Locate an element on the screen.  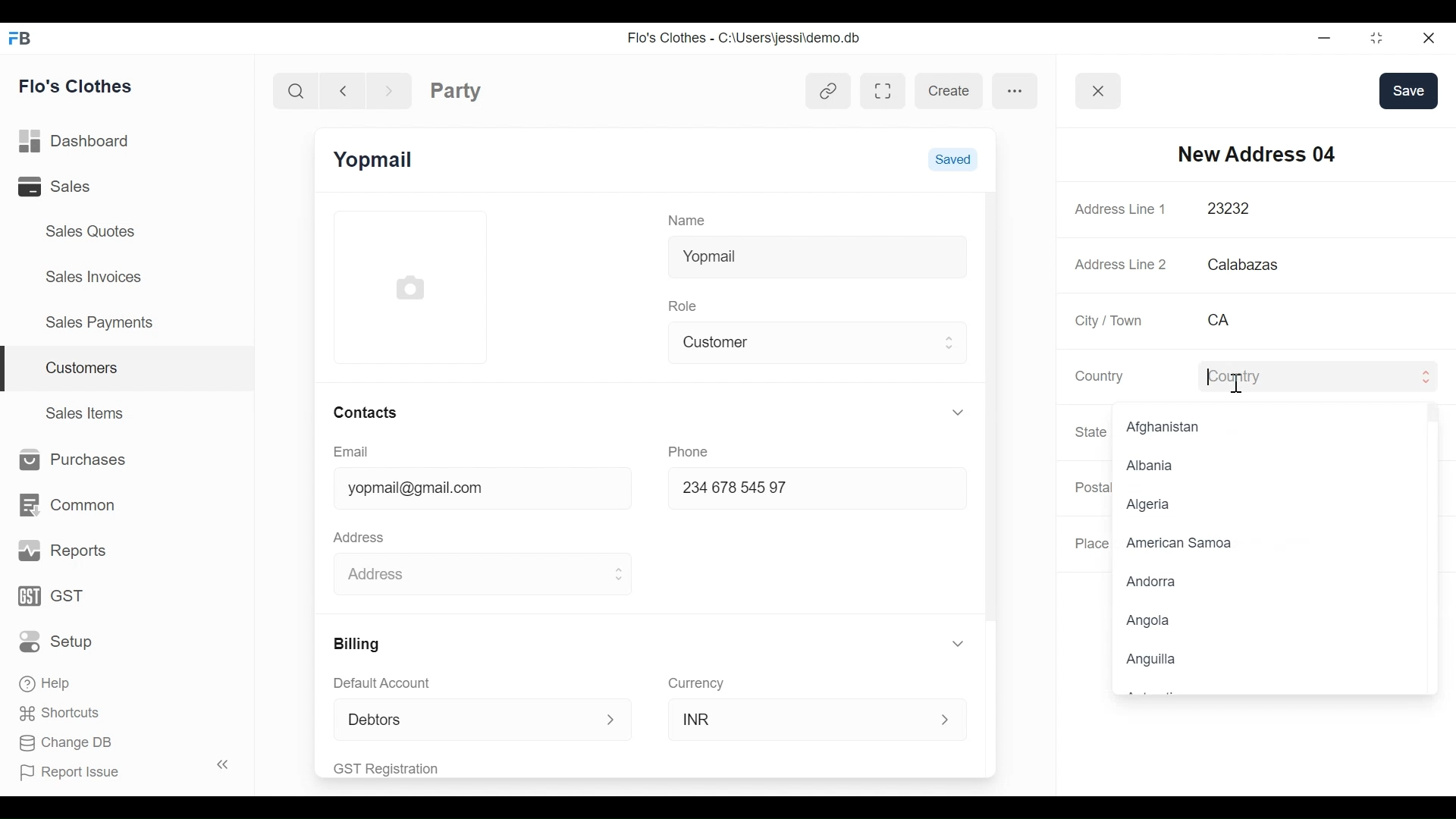
Albania is located at coordinates (1153, 466).